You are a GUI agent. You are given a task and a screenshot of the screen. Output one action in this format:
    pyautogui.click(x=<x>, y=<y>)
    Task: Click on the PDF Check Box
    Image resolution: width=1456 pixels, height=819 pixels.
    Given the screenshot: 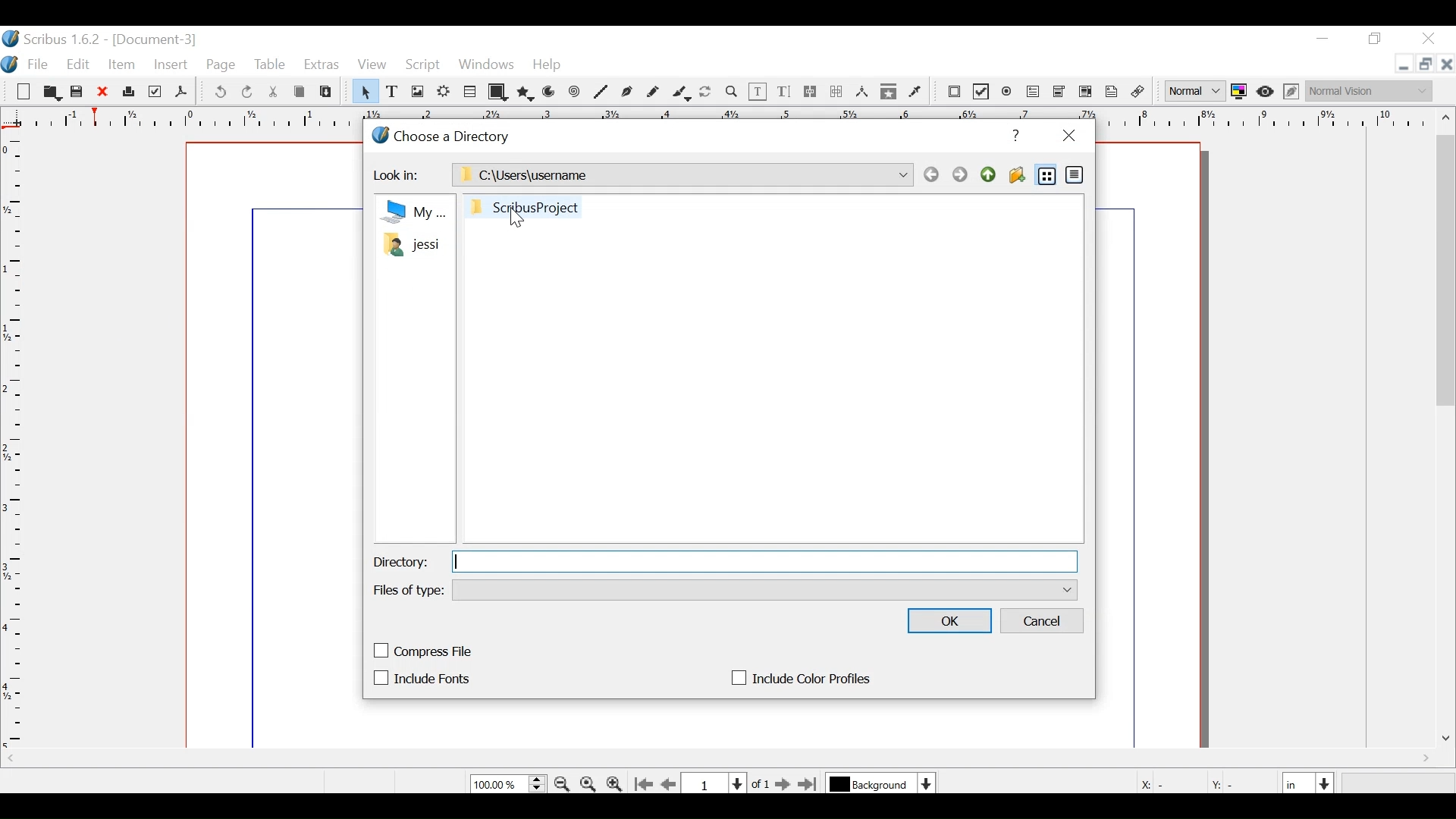 What is the action you would take?
    pyautogui.click(x=981, y=92)
    